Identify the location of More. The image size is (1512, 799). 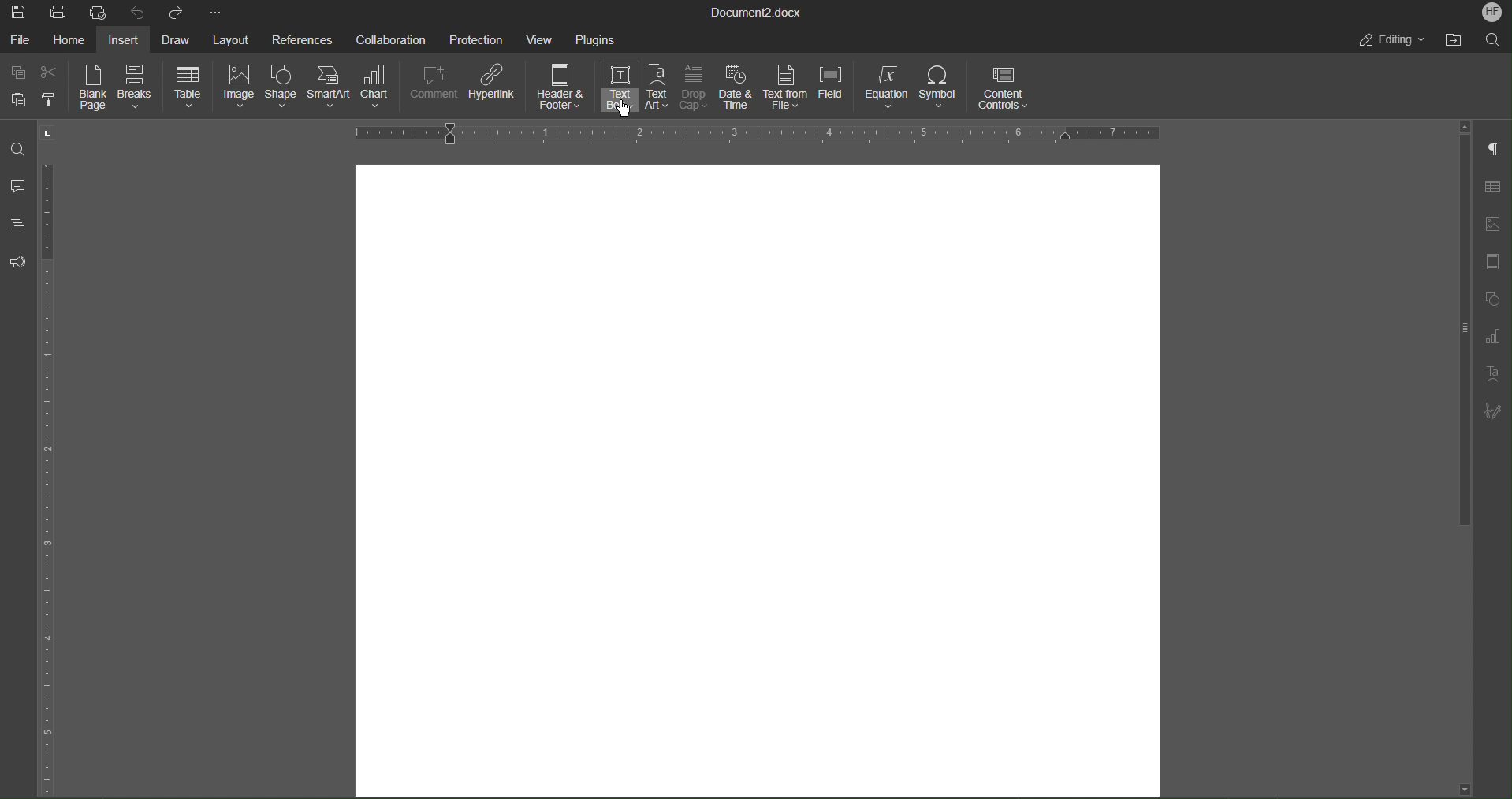
(216, 11).